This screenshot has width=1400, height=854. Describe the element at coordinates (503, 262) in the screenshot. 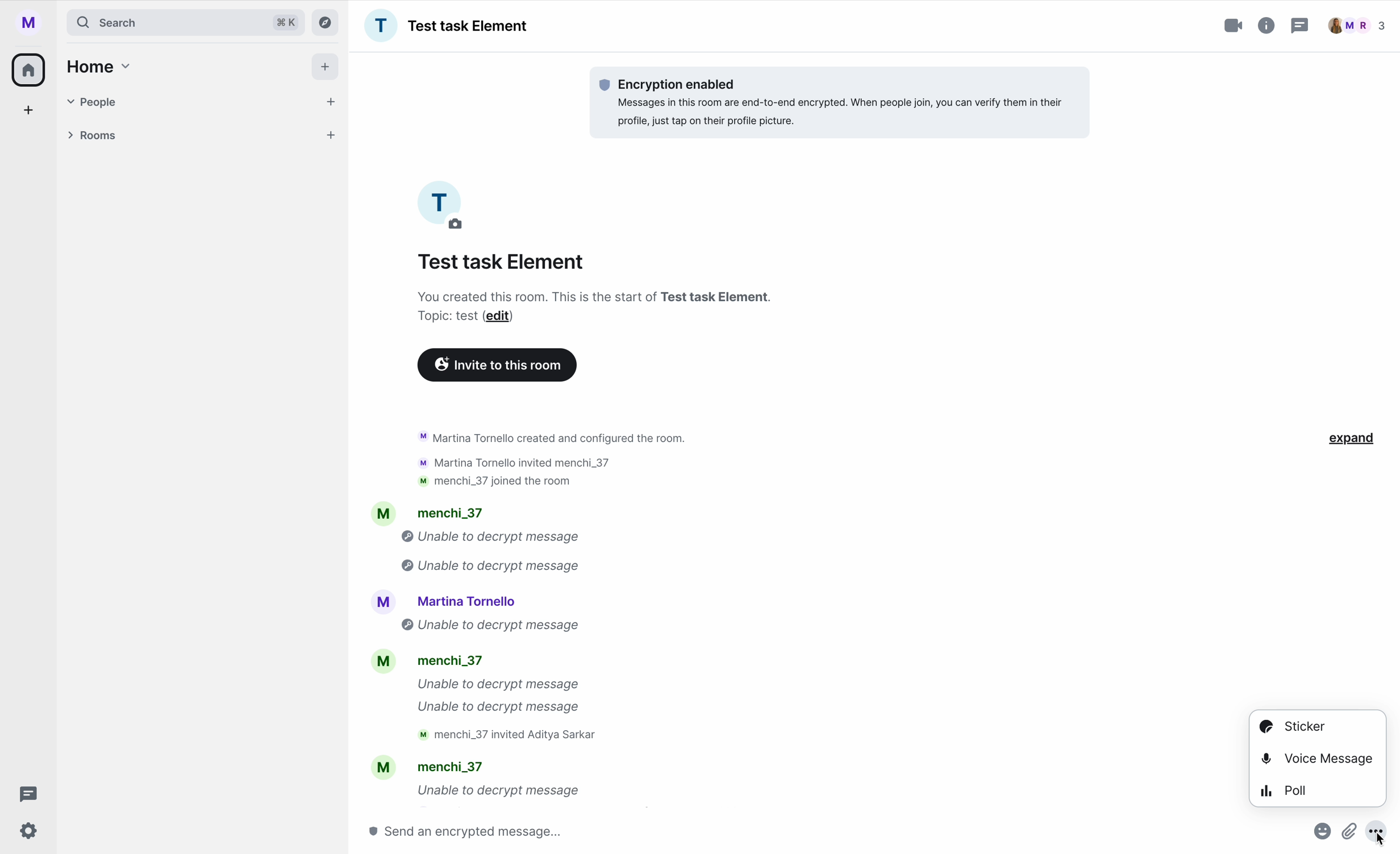

I see `Test task Element` at that location.